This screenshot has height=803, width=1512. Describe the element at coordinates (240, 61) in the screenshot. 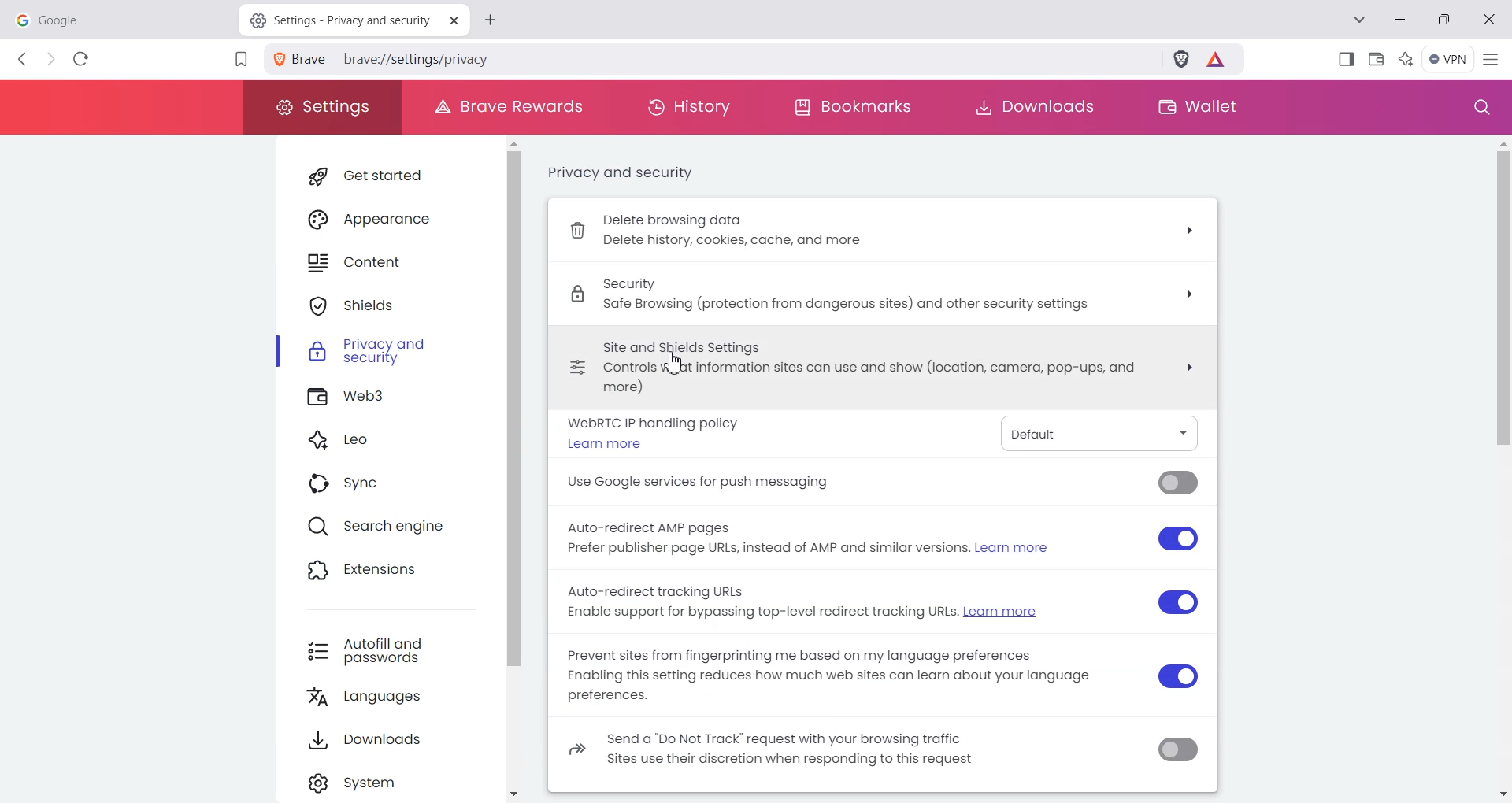

I see `Bookmark` at that location.